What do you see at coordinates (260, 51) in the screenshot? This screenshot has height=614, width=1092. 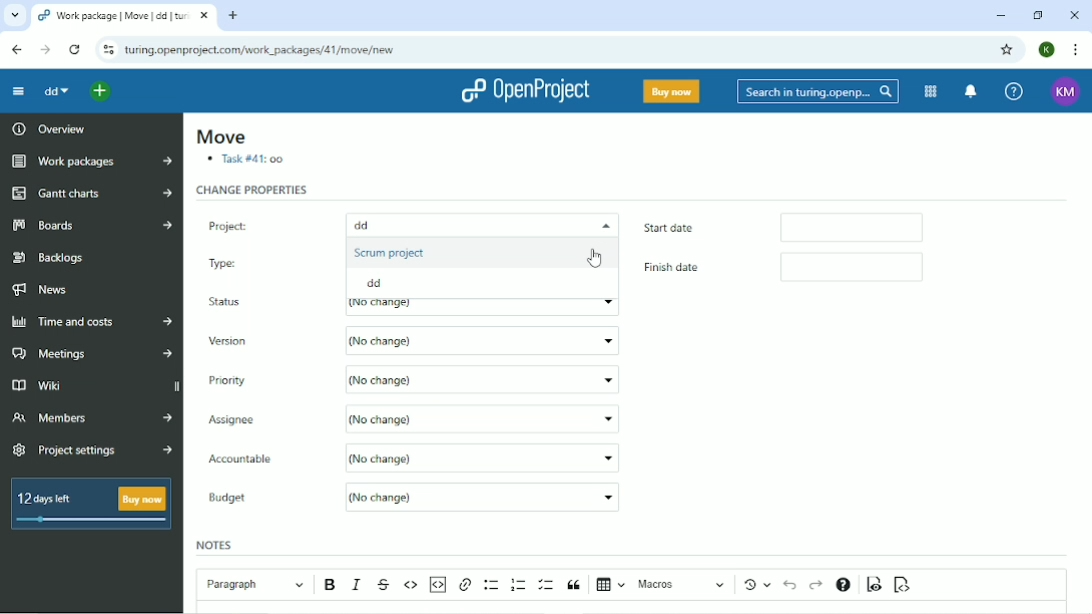 I see `Site` at bounding box center [260, 51].